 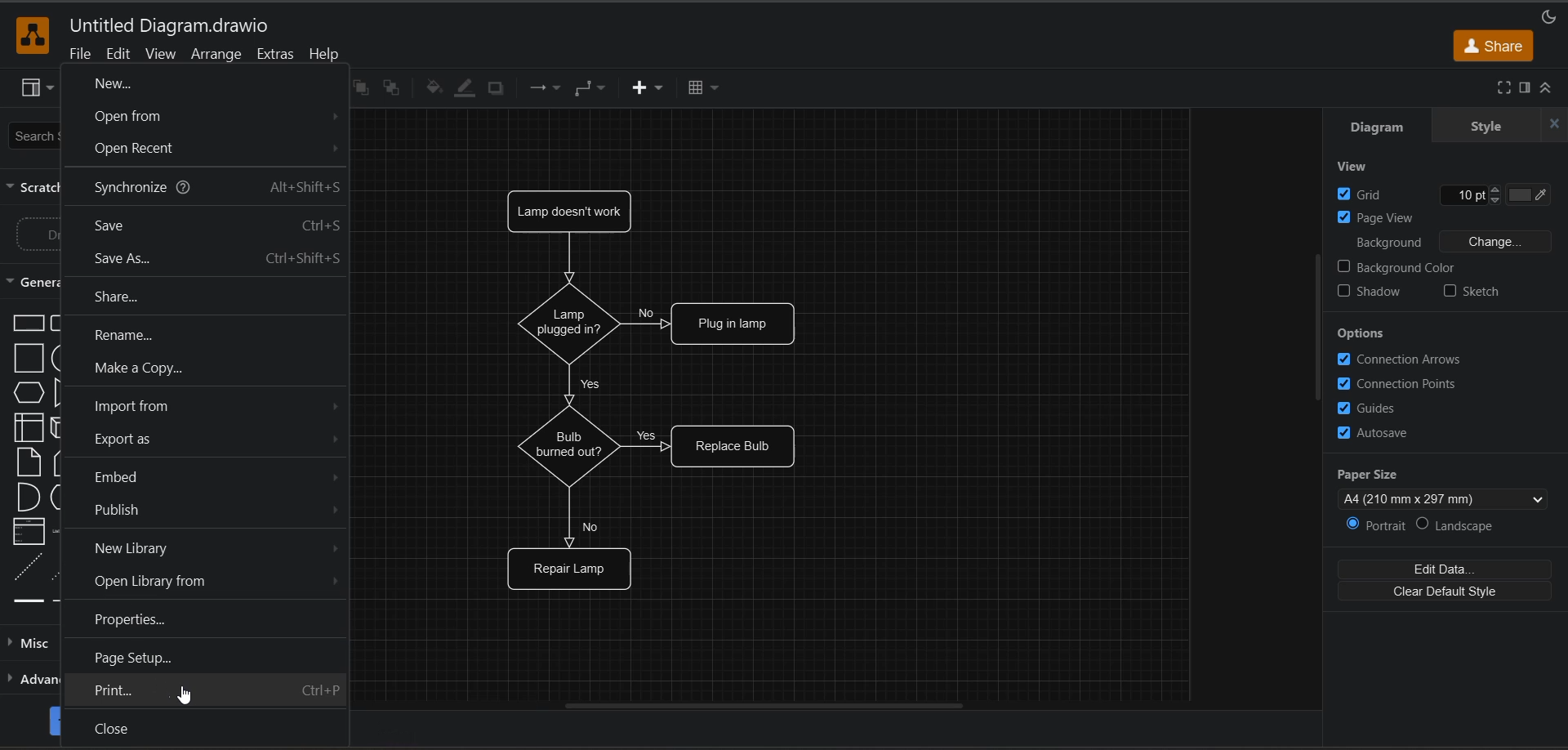 I want to click on share, so click(x=1492, y=47).